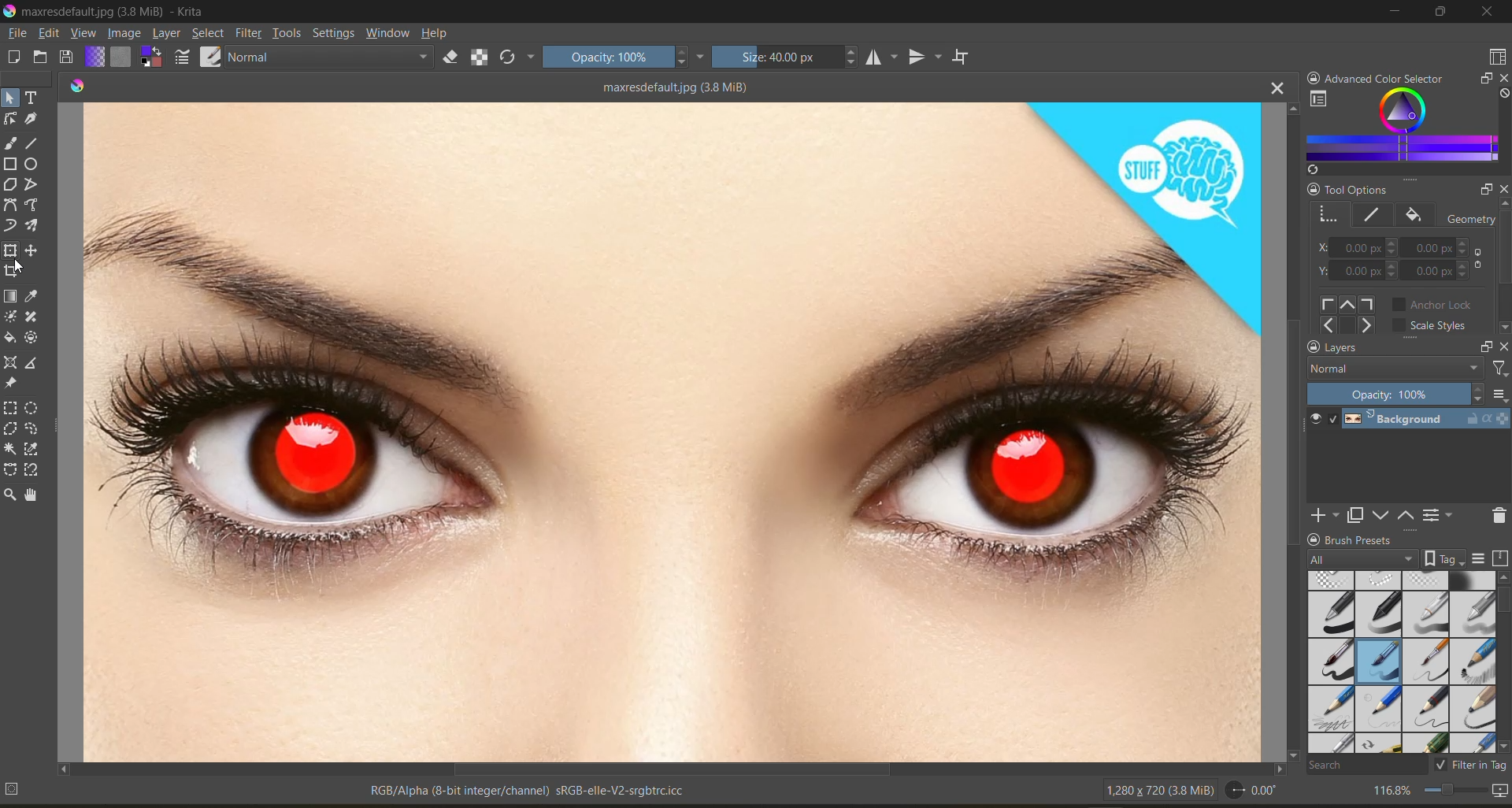 This screenshot has height=808, width=1512. What do you see at coordinates (31, 250) in the screenshot?
I see `tool` at bounding box center [31, 250].